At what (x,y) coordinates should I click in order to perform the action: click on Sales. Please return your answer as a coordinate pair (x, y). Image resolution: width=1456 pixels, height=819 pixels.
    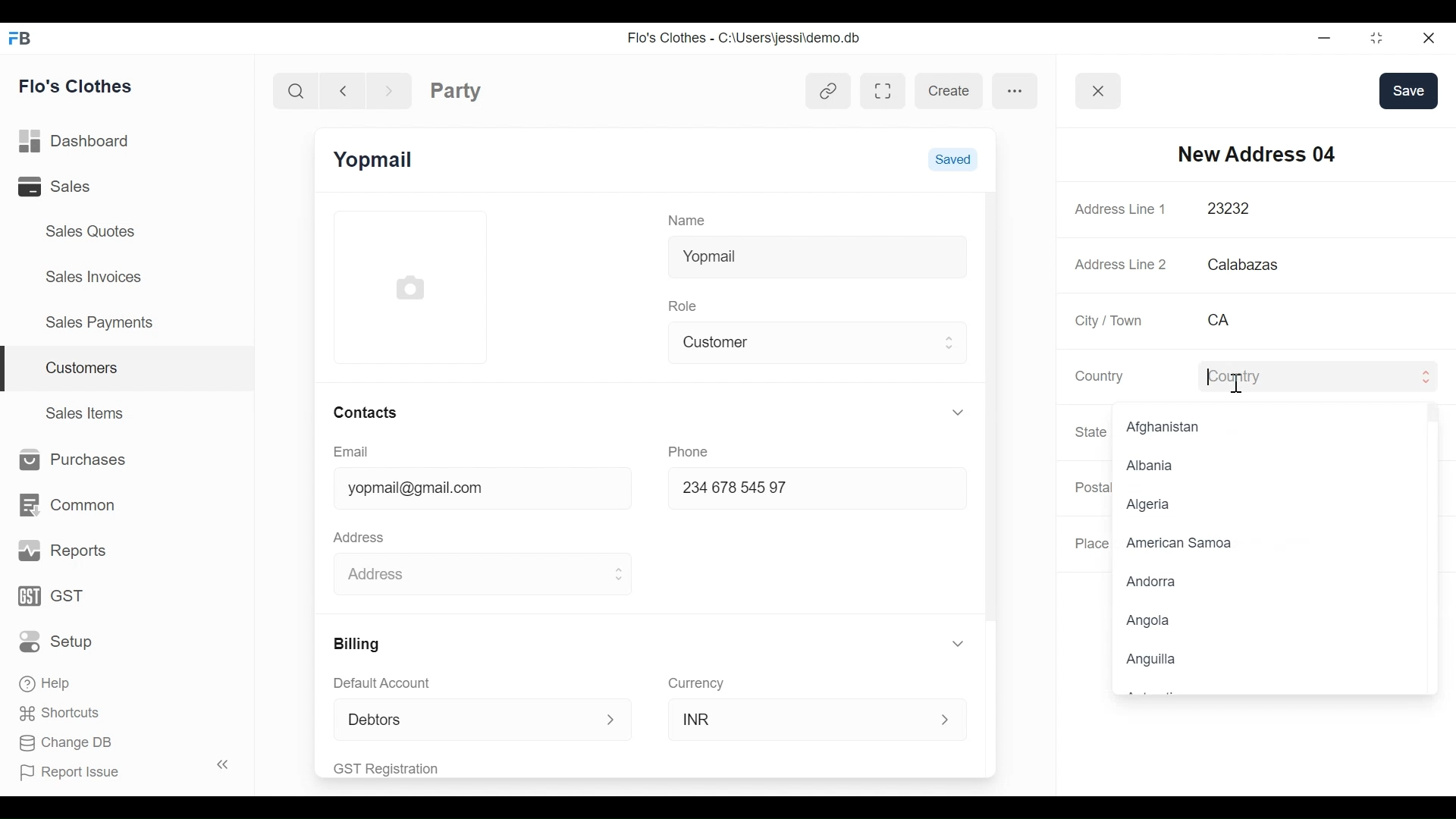
    Looking at the image, I should click on (75, 186).